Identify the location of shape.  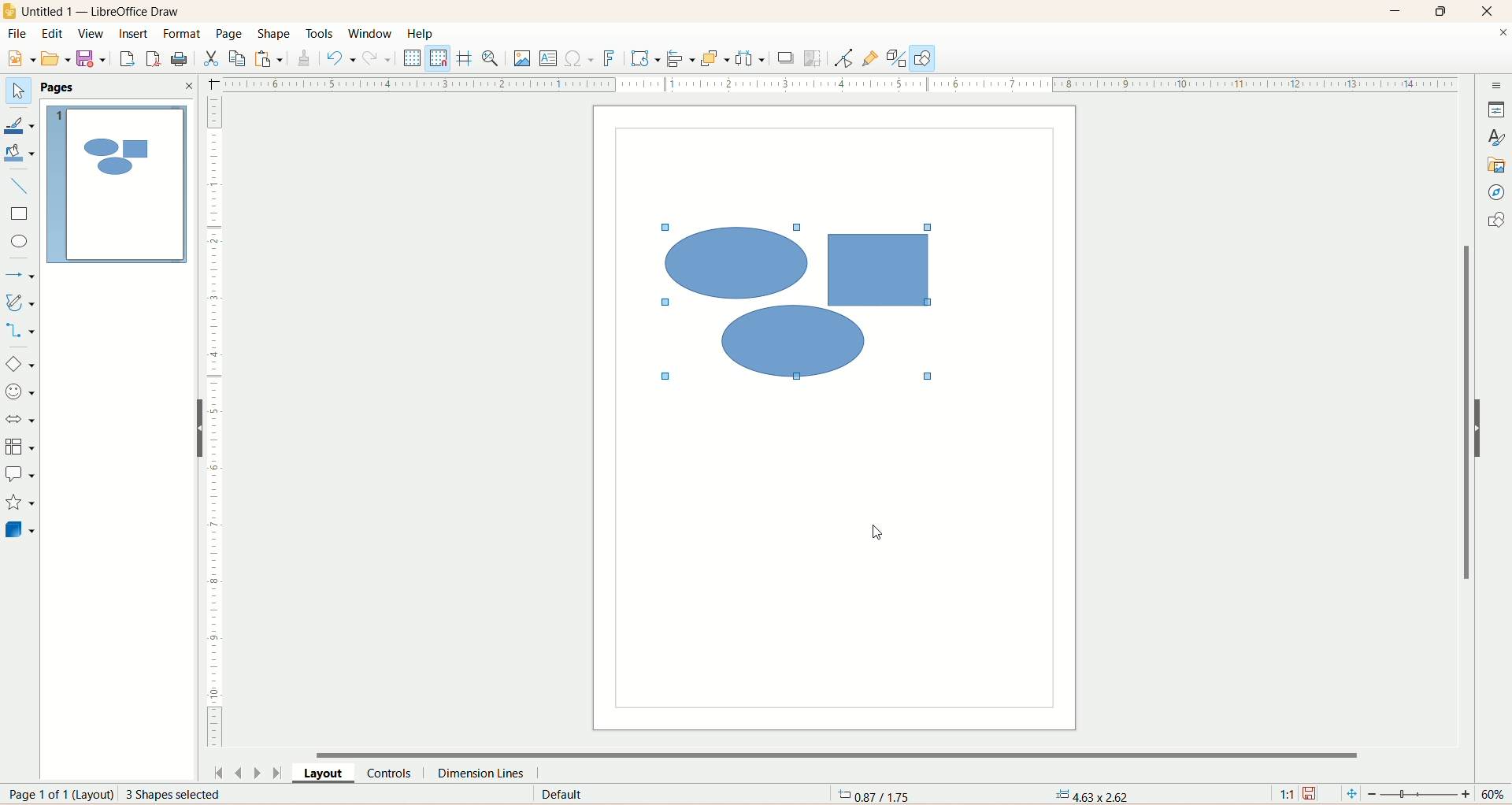
(273, 34).